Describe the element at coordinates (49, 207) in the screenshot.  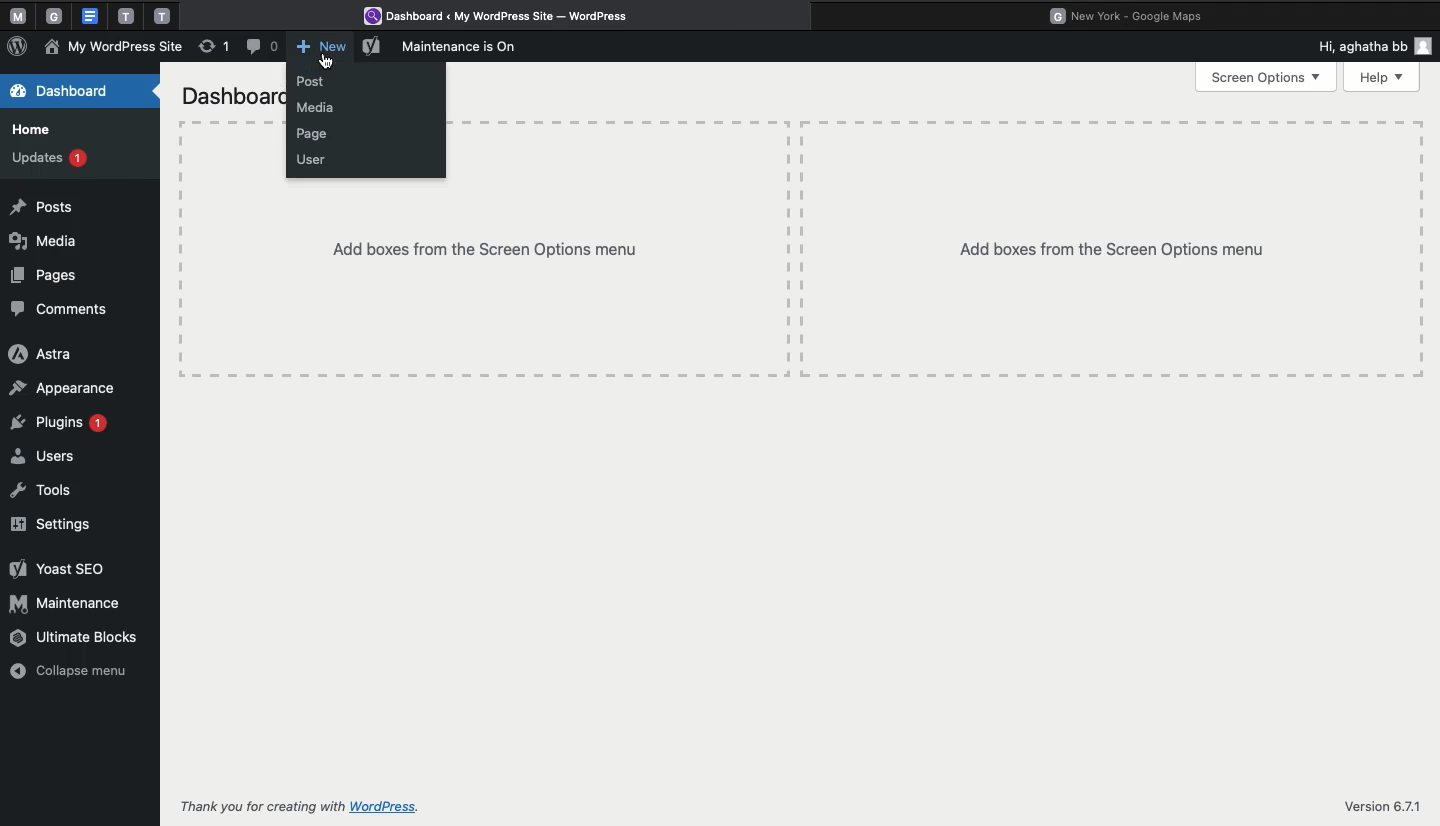
I see `Posts` at that location.